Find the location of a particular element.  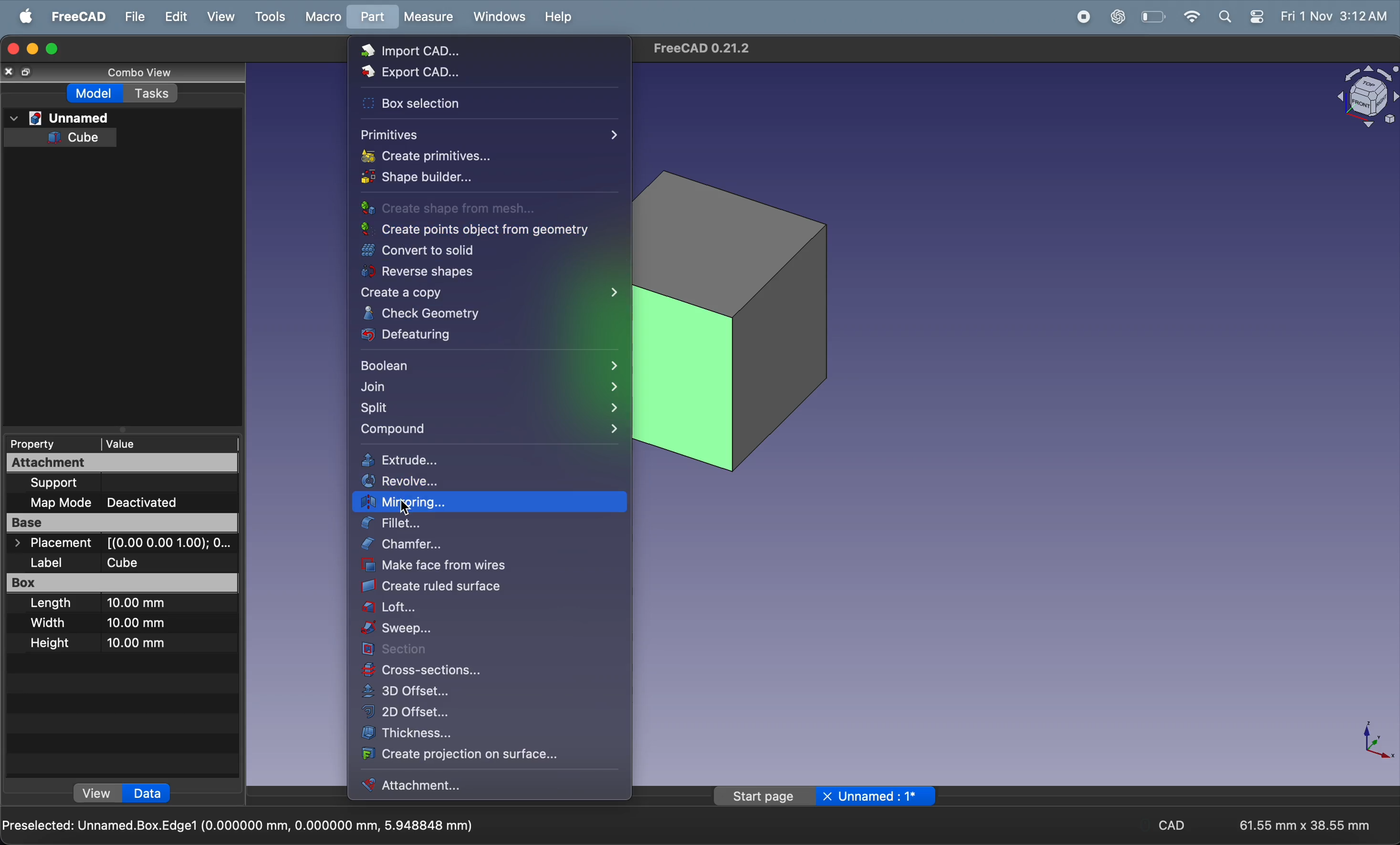

file is located at coordinates (132, 17).